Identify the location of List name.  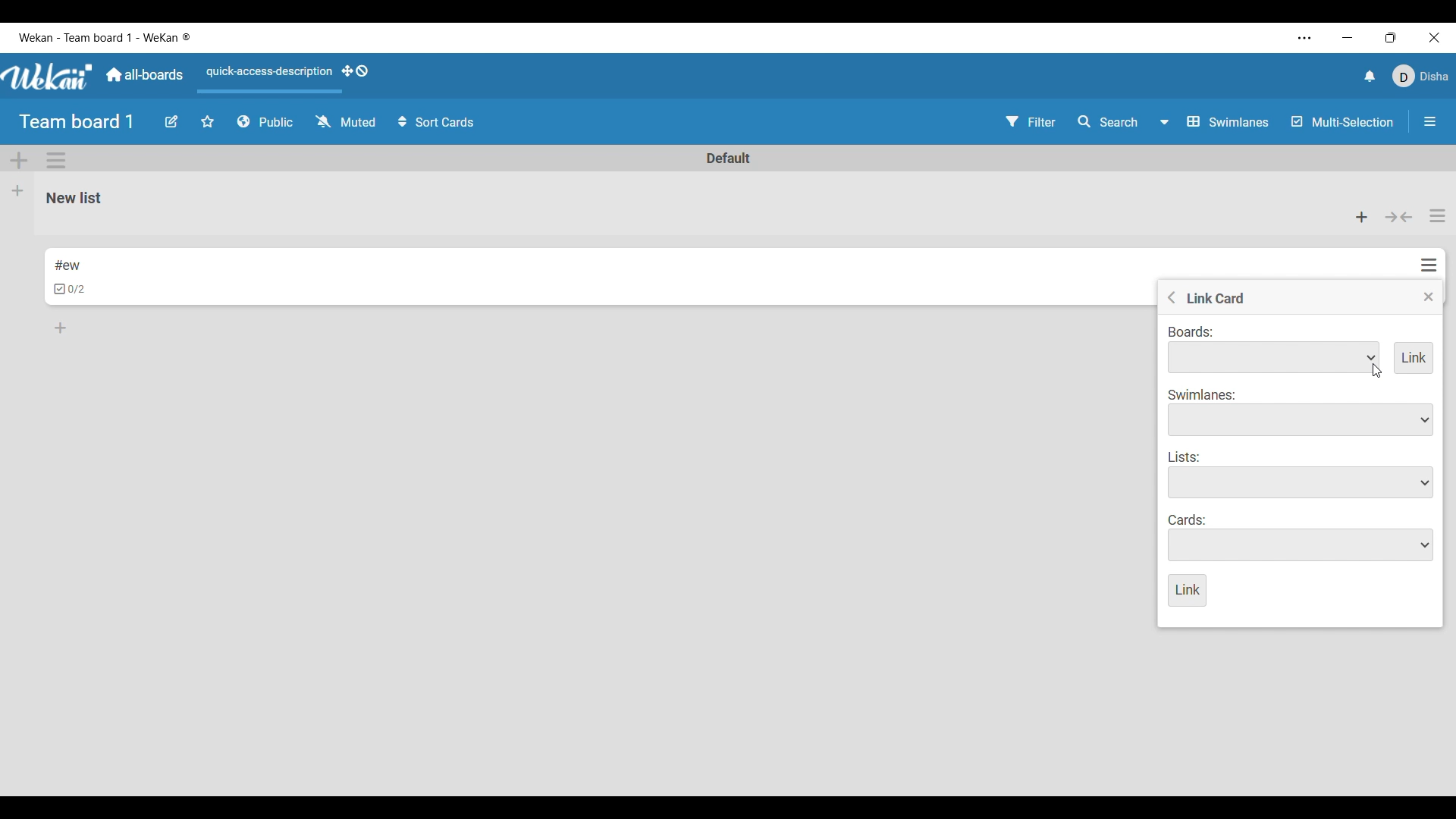
(74, 199).